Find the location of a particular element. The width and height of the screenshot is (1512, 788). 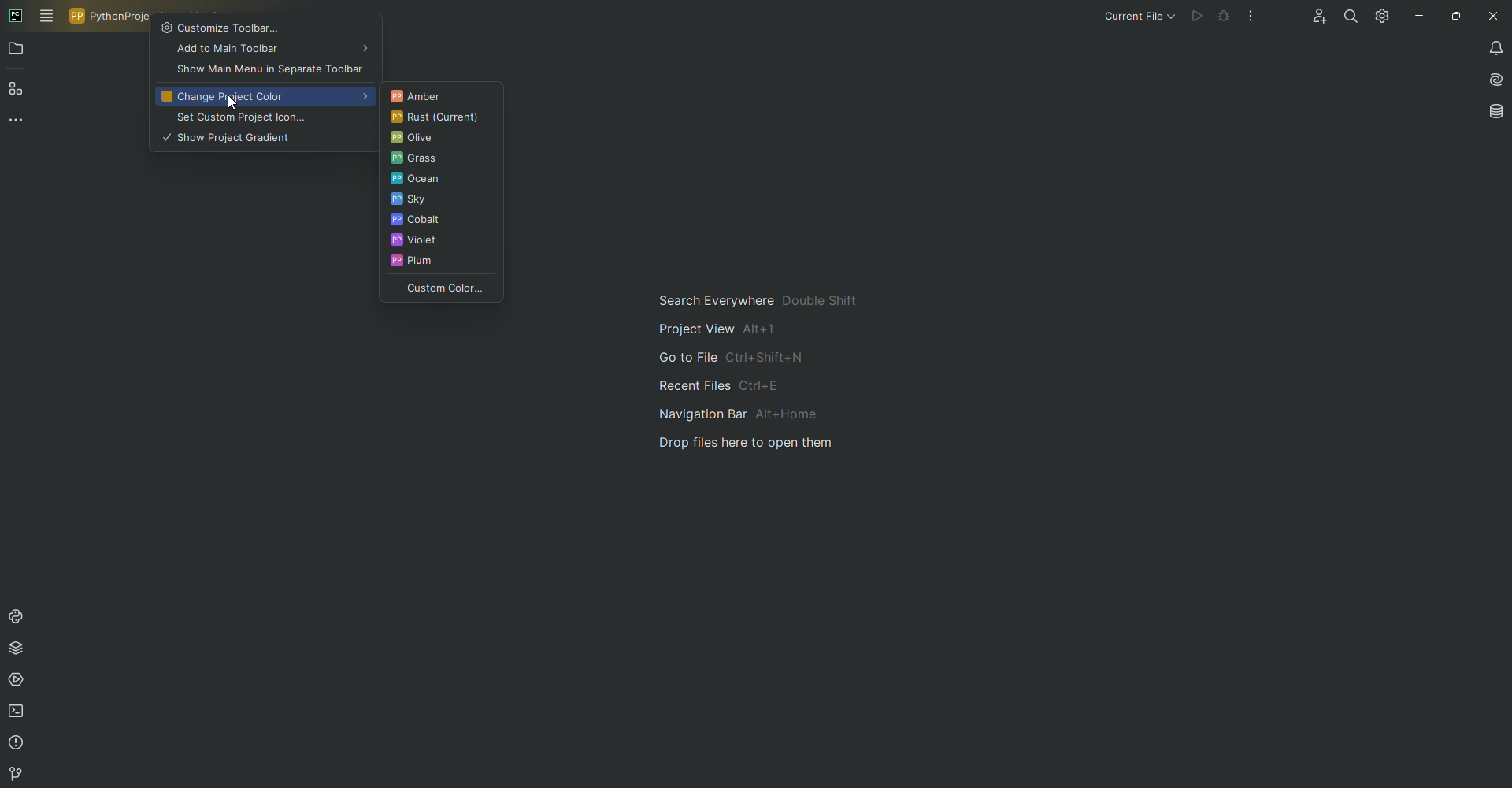

Notifications is located at coordinates (1492, 48).